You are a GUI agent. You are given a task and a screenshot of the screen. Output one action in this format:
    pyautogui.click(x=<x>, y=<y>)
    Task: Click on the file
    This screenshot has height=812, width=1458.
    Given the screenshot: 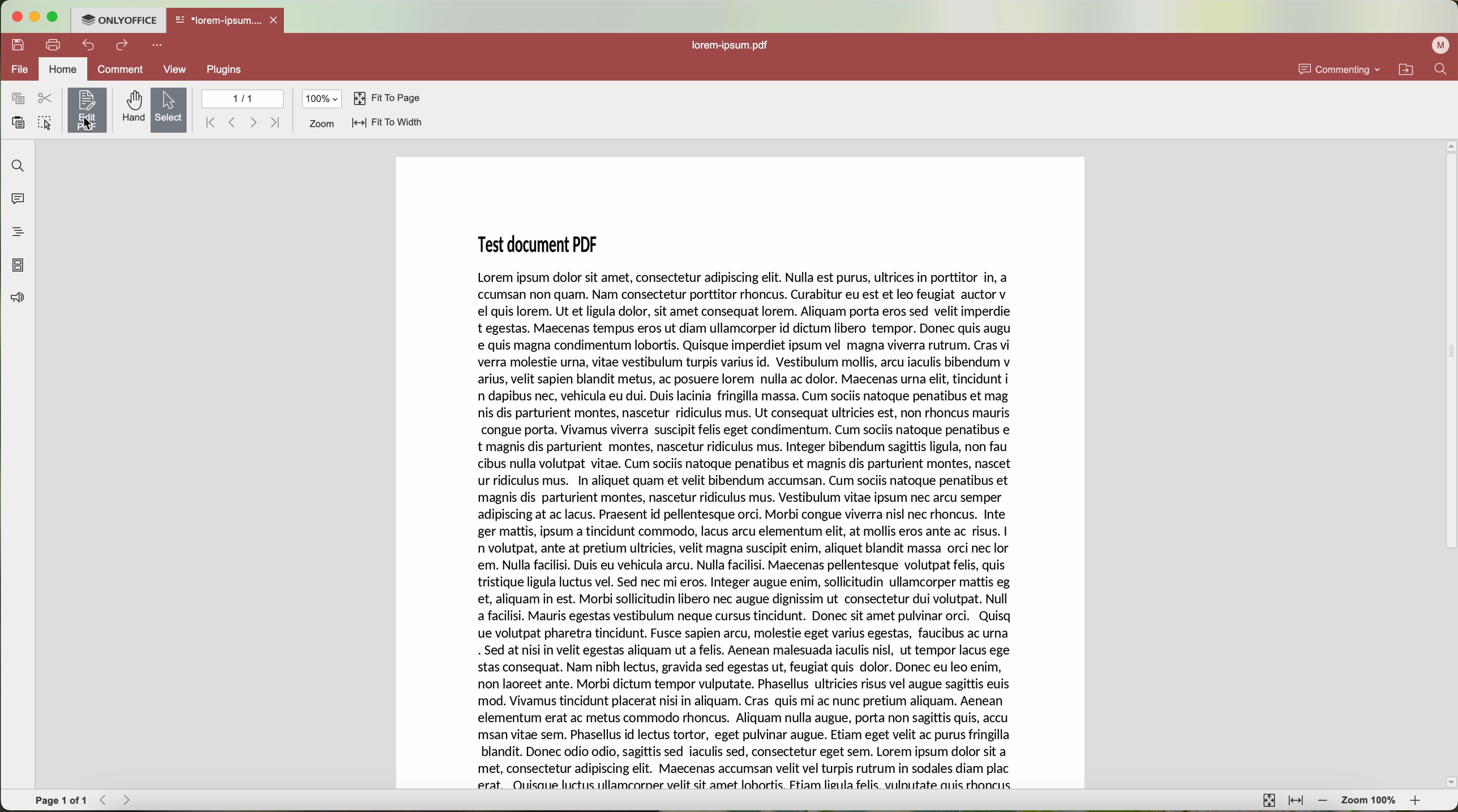 What is the action you would take?
    pyautogui.click(x=18, y=68)
    